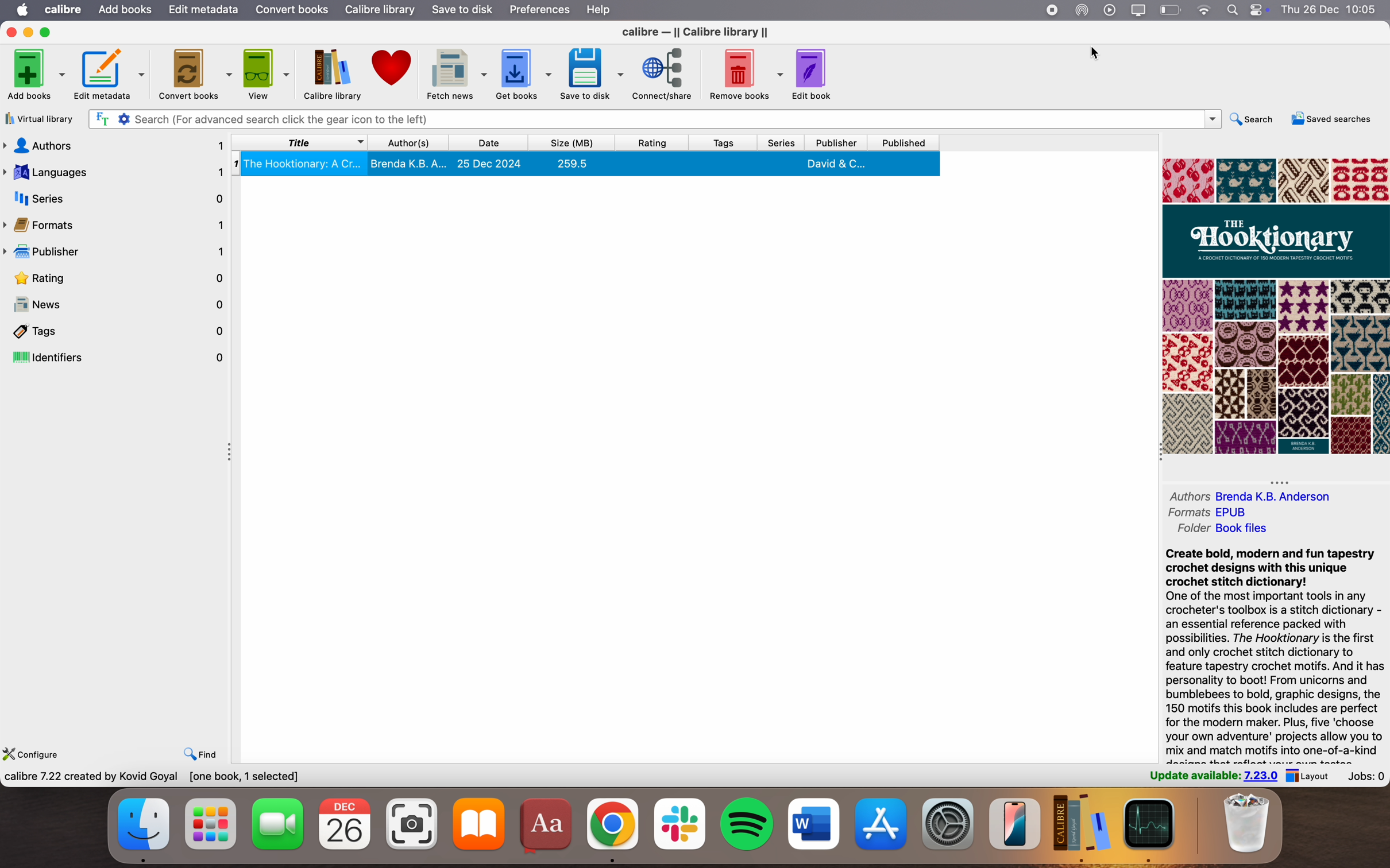  What do you see at coordinates (304, 165) in the screenshot?
I see `The hooktionary: ACr` at bounding box center [304, 165].